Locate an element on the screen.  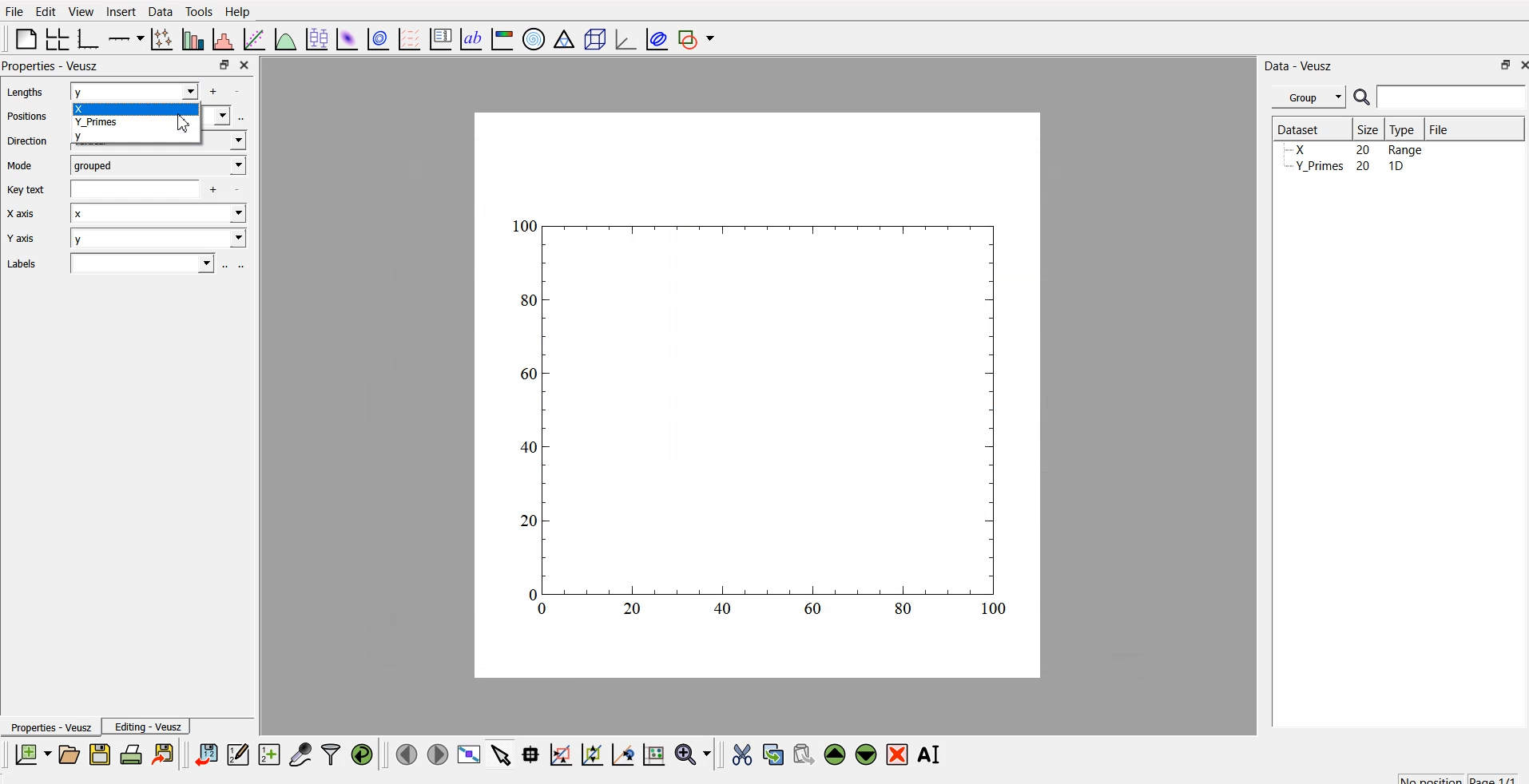
Mode grouped is located at coordinates (126, 164).